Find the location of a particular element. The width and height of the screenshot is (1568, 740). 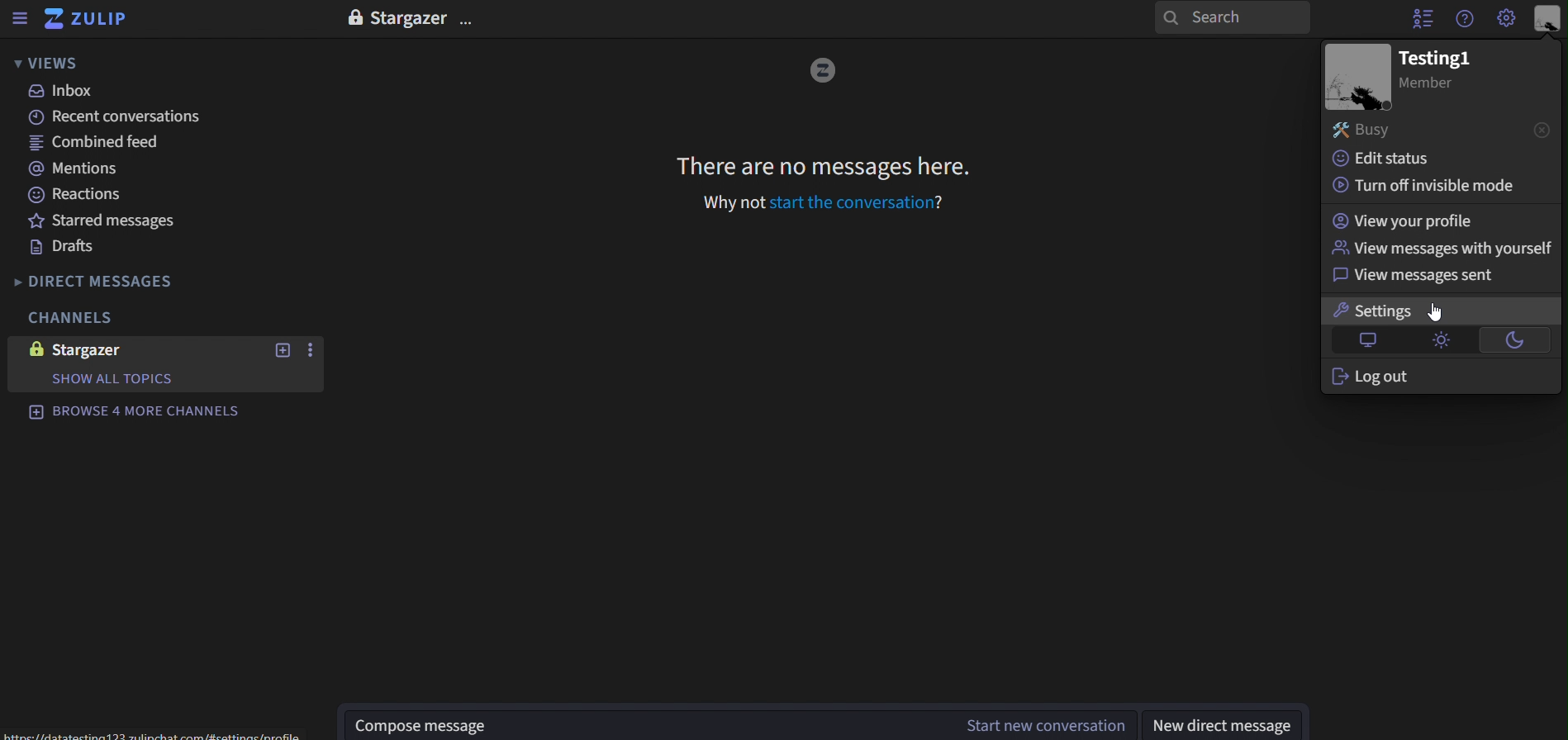

new topic is located at coordinates (280, 349).